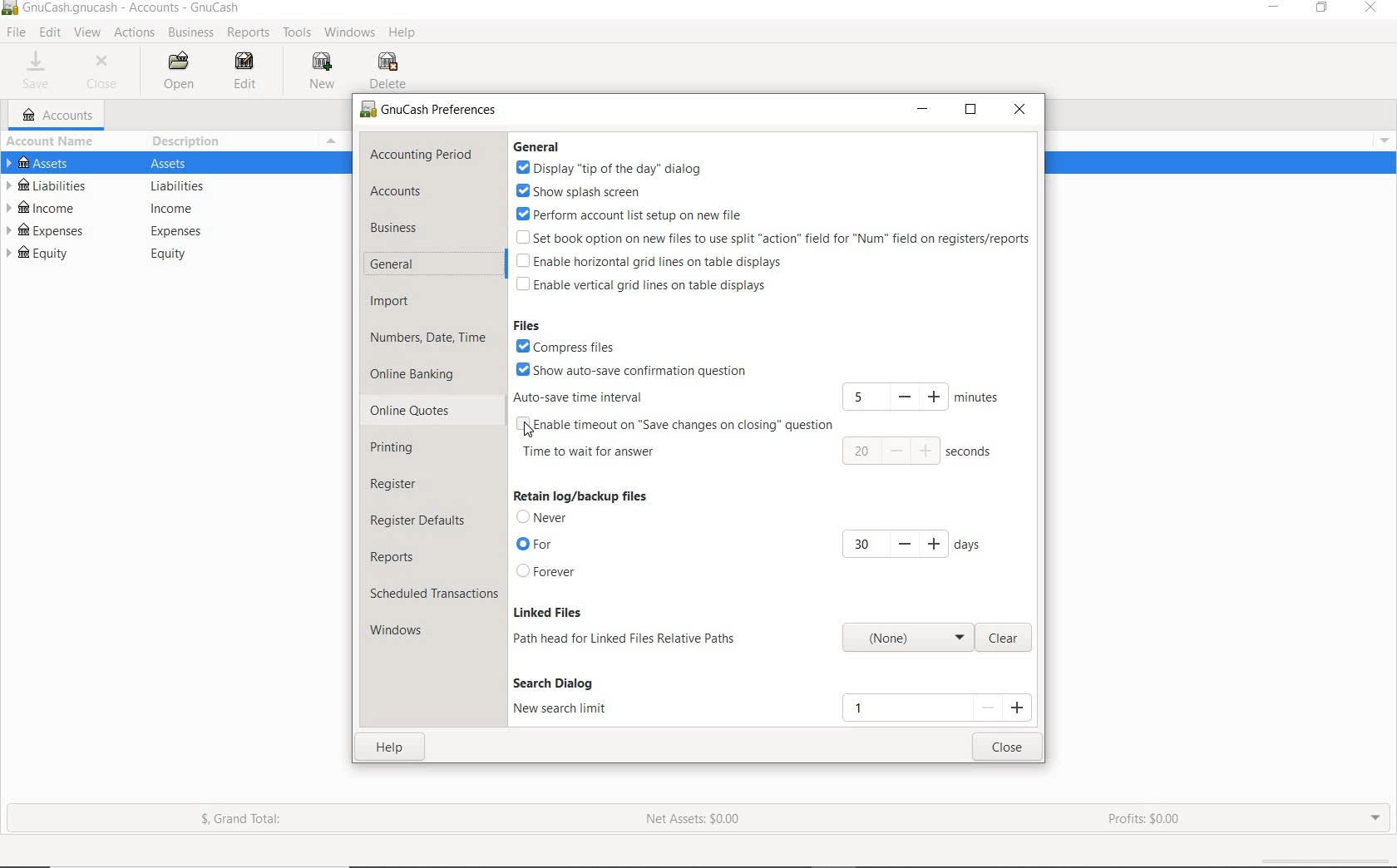 The height and width of the screenshot is (868, 1397). What do you see at coordinates (385, 749) in the screenshot?
I see `HELP` at bounding box center [385, 749].